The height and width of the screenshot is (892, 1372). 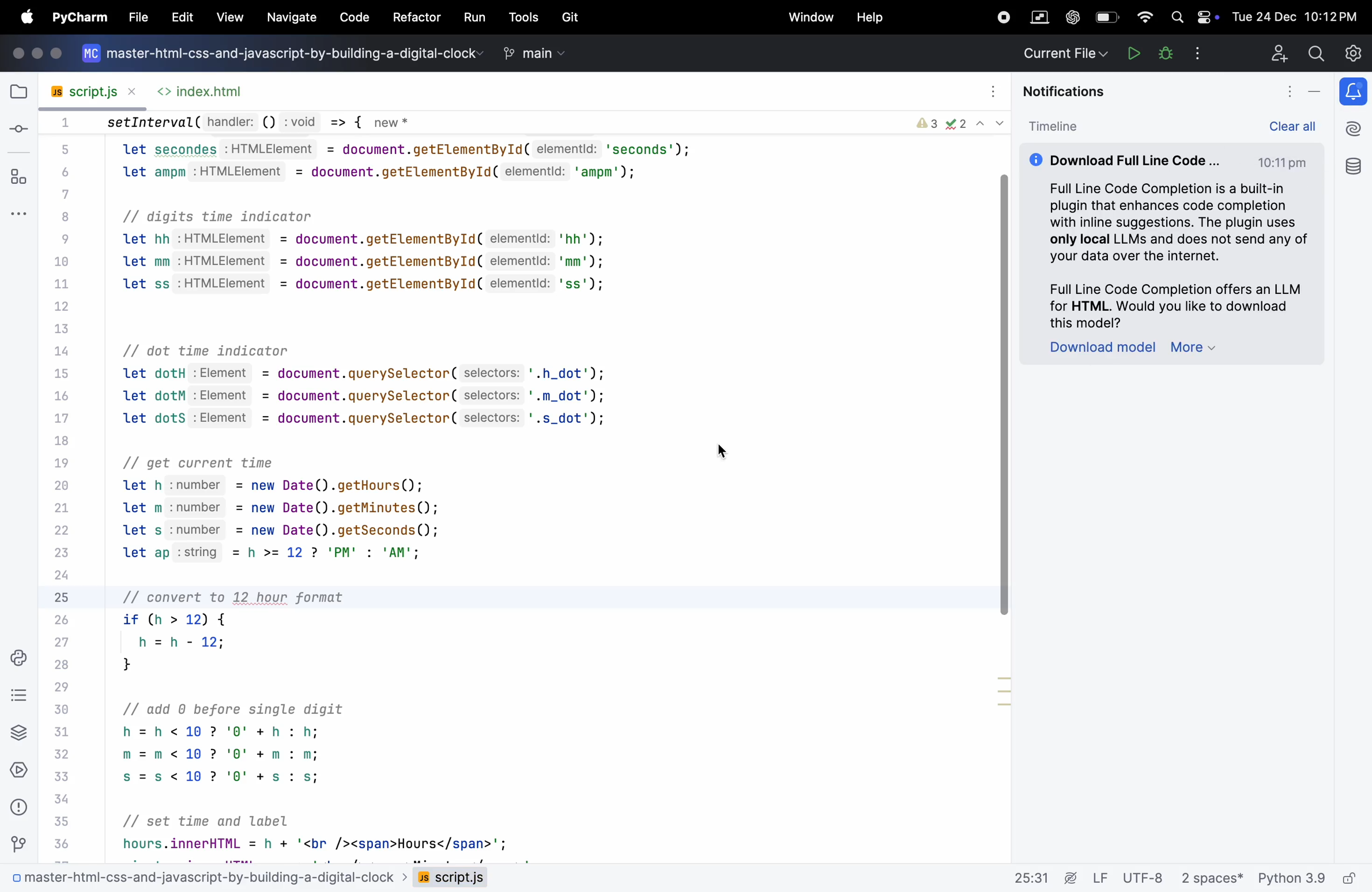 What do you see at coordinates (1126, 157) in the screenshot?
I see `Download Full Line Code ...` at bounding box center [1126, 157].